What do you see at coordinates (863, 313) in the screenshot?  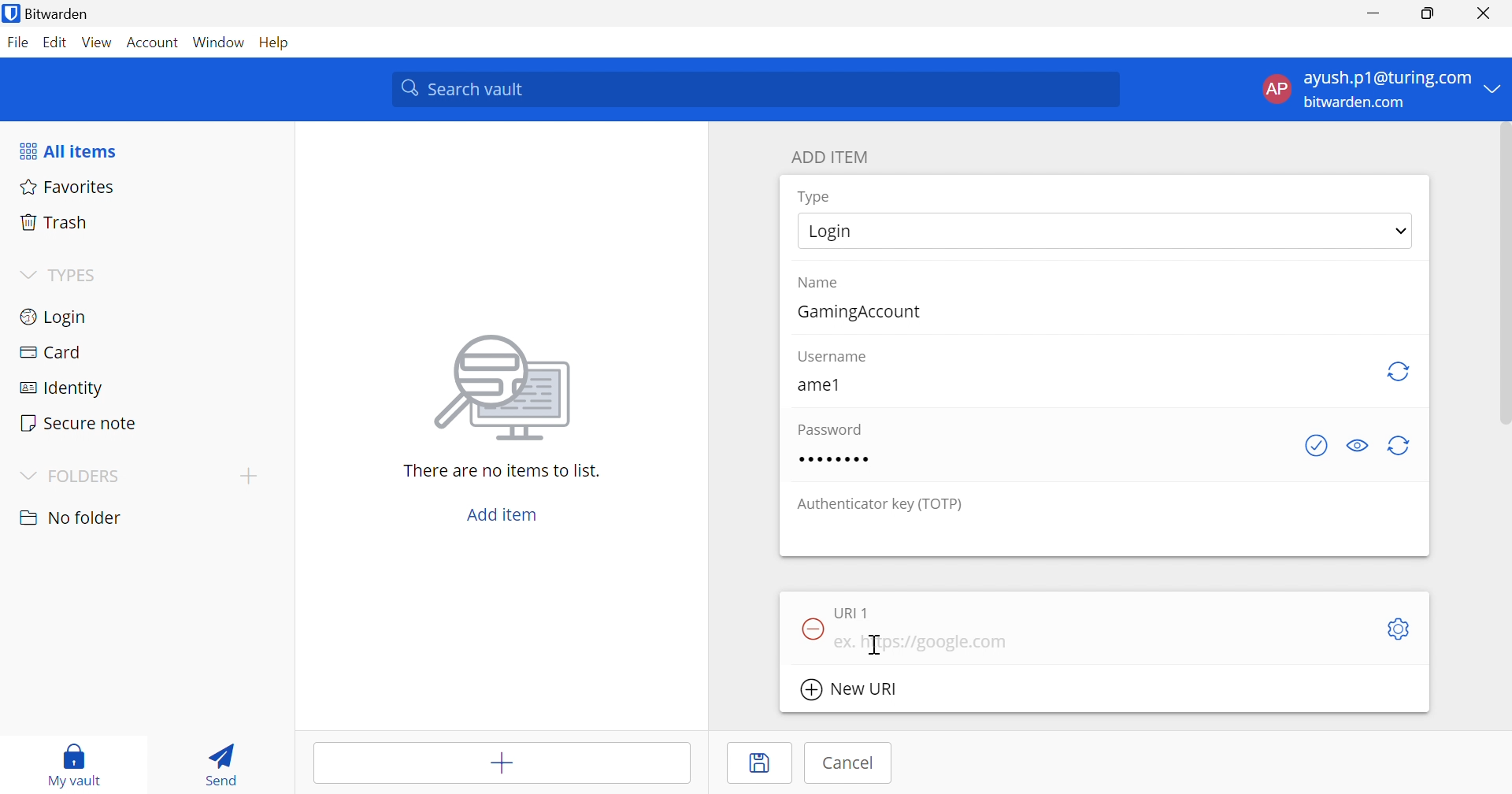 I see `GamingAccount` at bounding box center [863, 313].